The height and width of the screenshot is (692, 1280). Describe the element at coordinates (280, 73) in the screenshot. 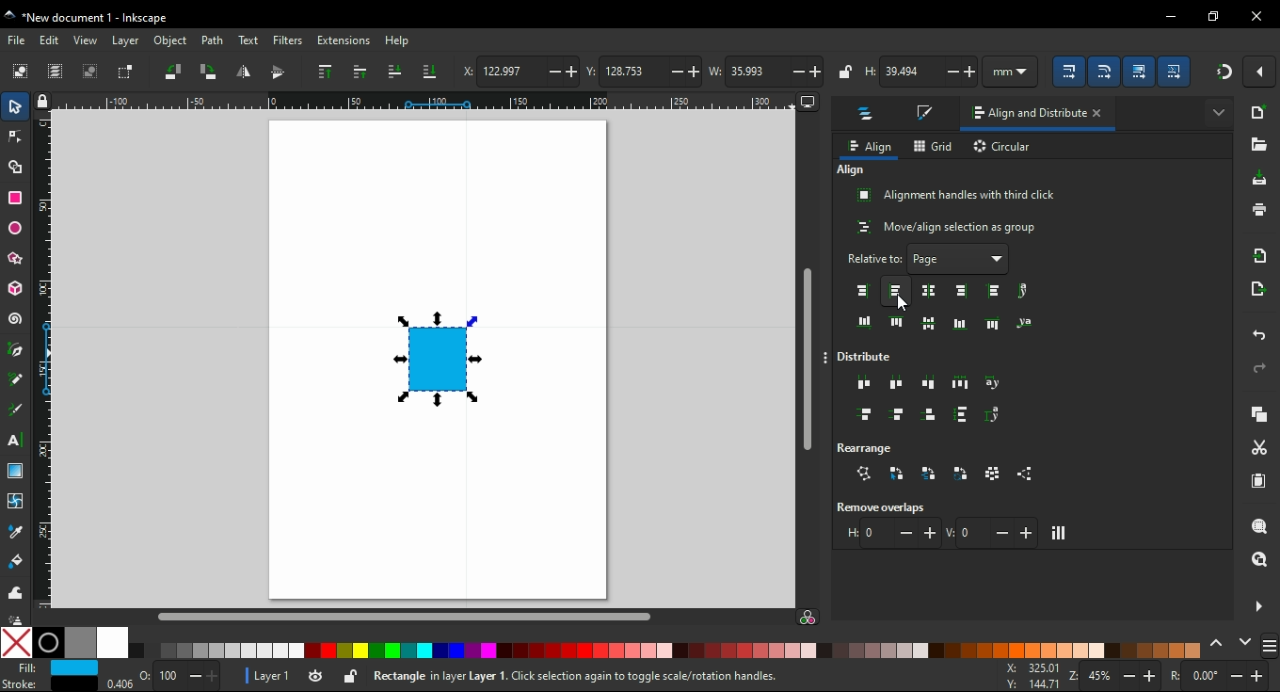

I see `flip vertical` at that location.